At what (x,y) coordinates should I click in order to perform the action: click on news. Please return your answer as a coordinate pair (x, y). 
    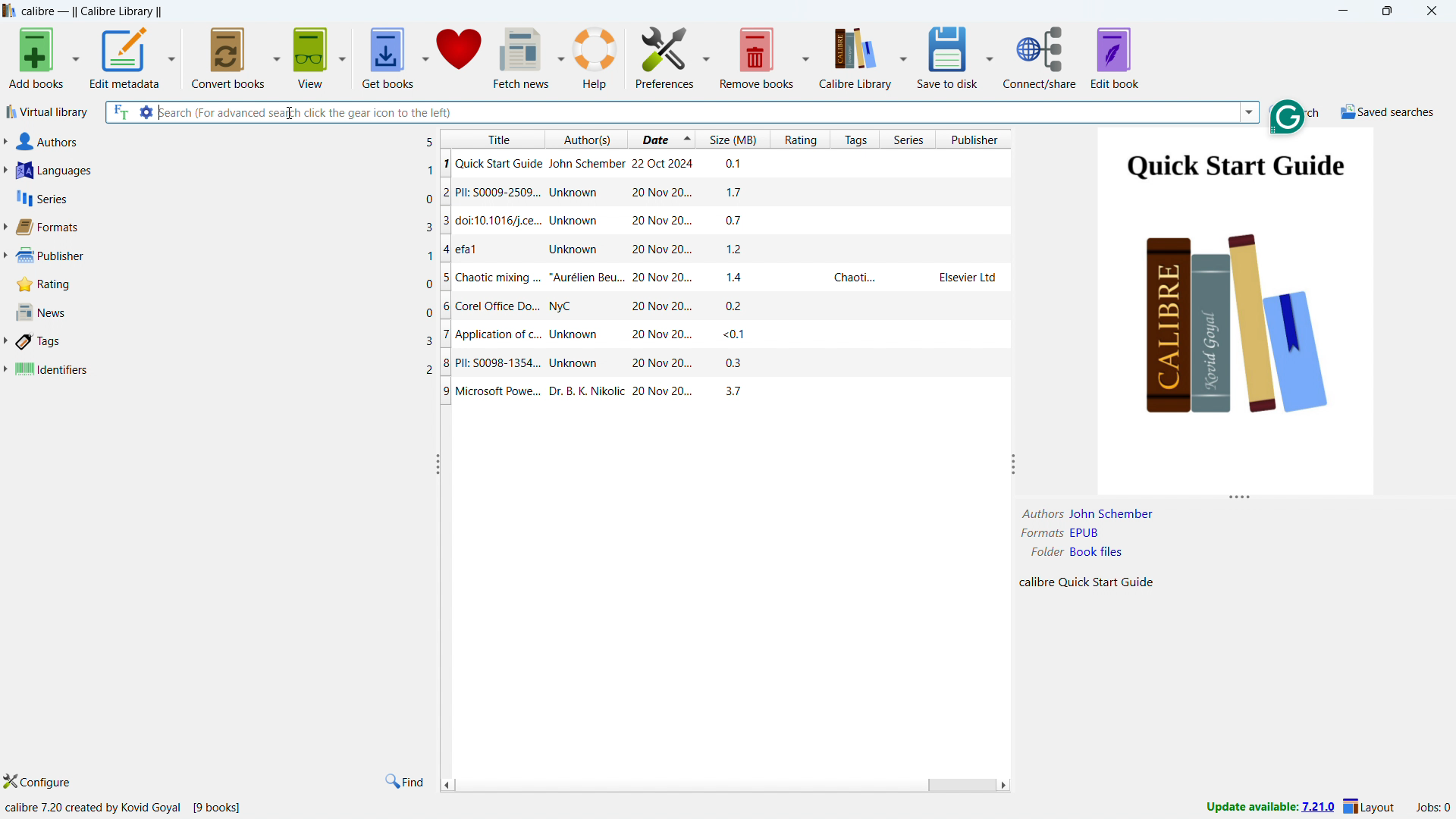
    Looking at the image, I should click on (225, 312).